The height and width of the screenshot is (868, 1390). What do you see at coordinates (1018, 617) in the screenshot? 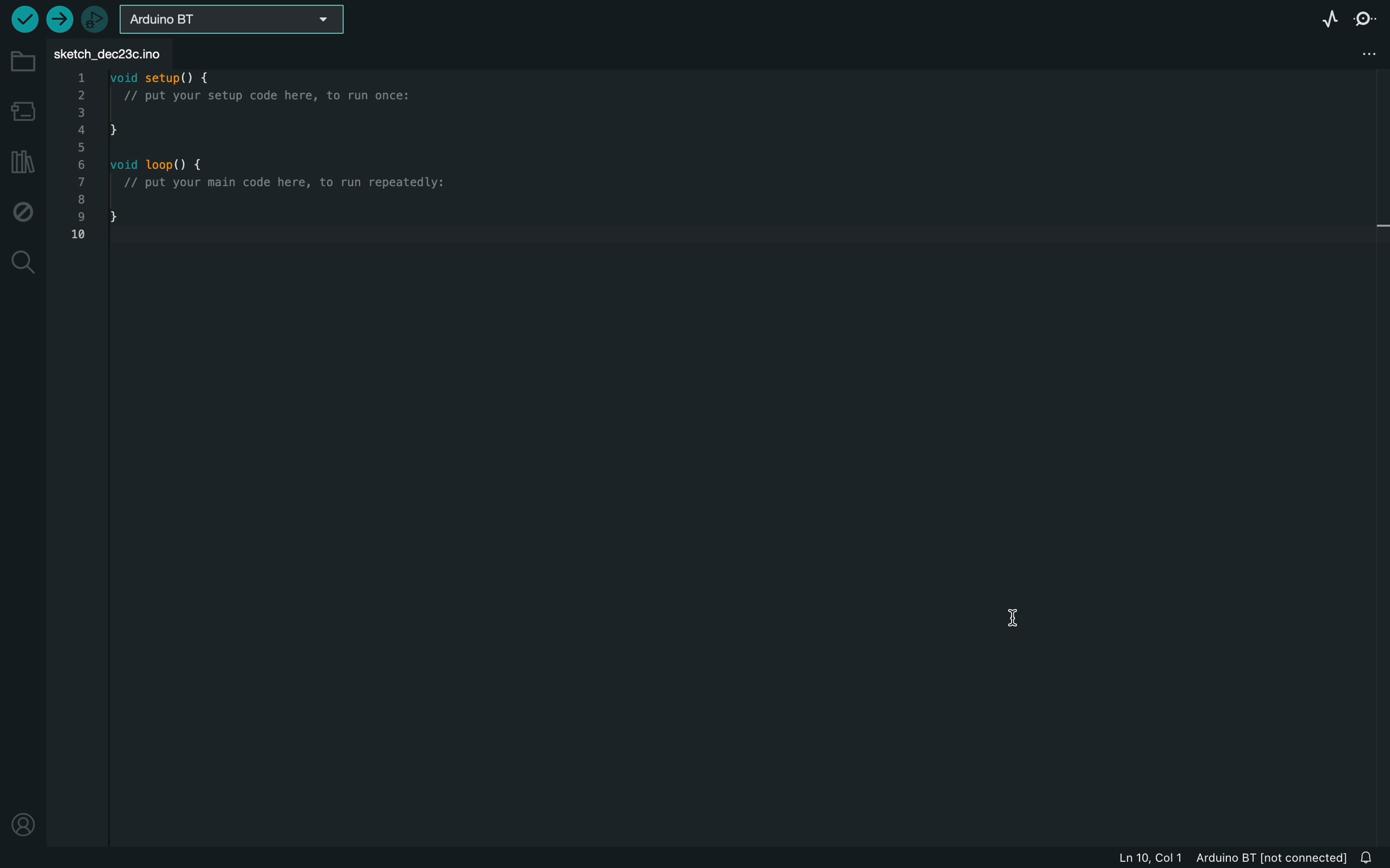
I see `cursor` at bounding box center [1018, 617].